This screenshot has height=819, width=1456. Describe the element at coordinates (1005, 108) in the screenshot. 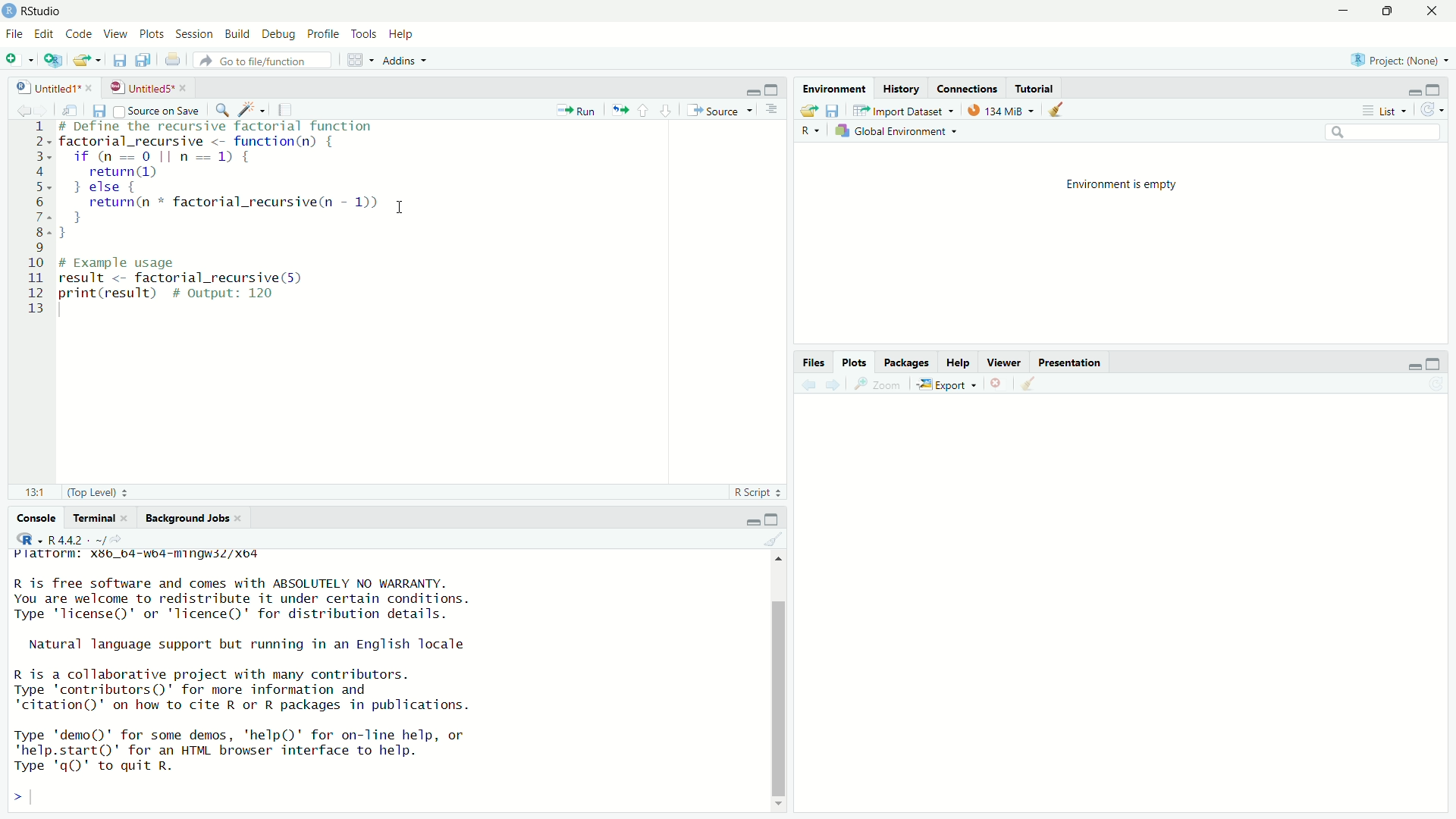

I see `134kib used by R session (Source: Windows System)` at that location.